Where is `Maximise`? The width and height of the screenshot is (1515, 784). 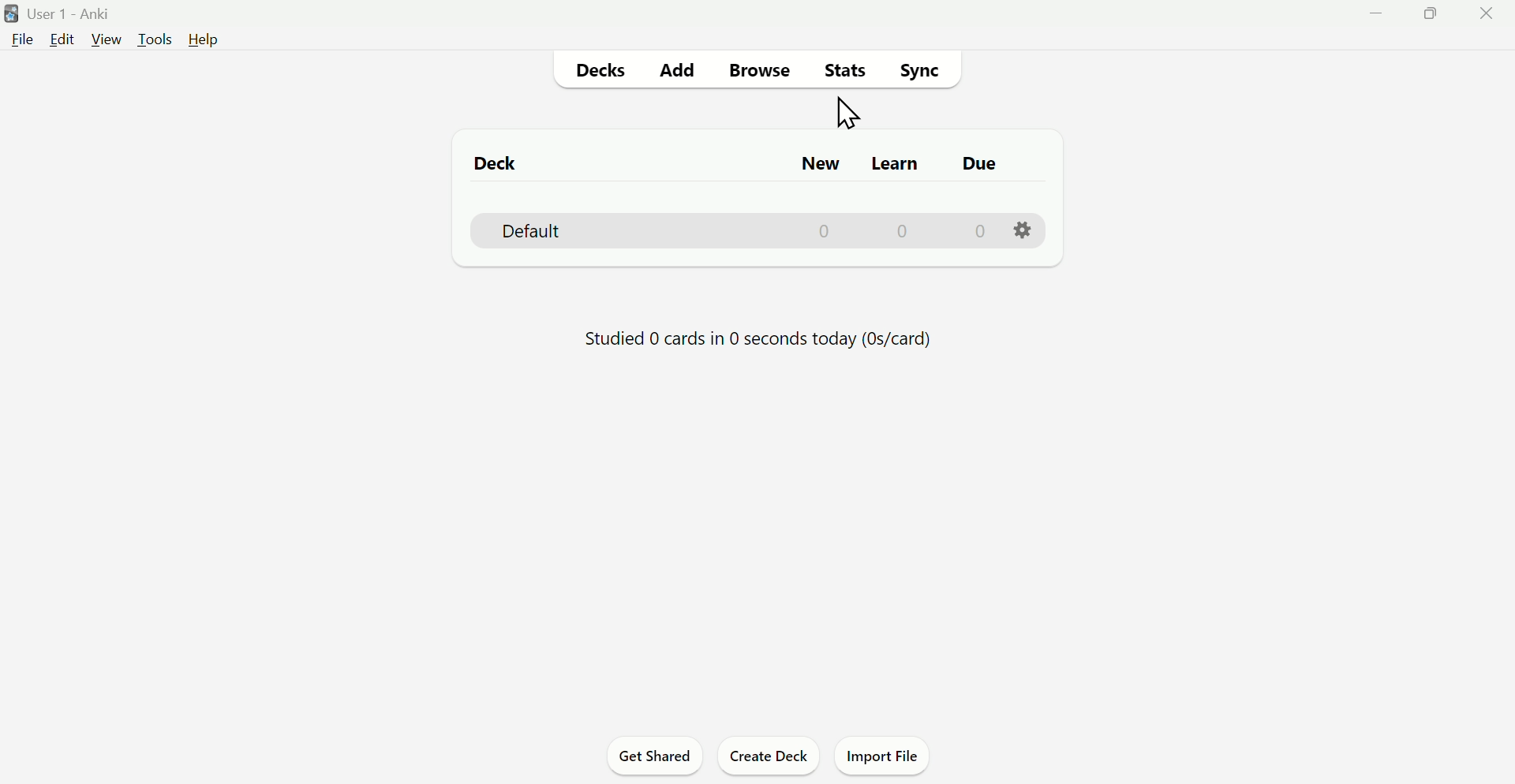
Maximise is located at coordinates (1437, 17).